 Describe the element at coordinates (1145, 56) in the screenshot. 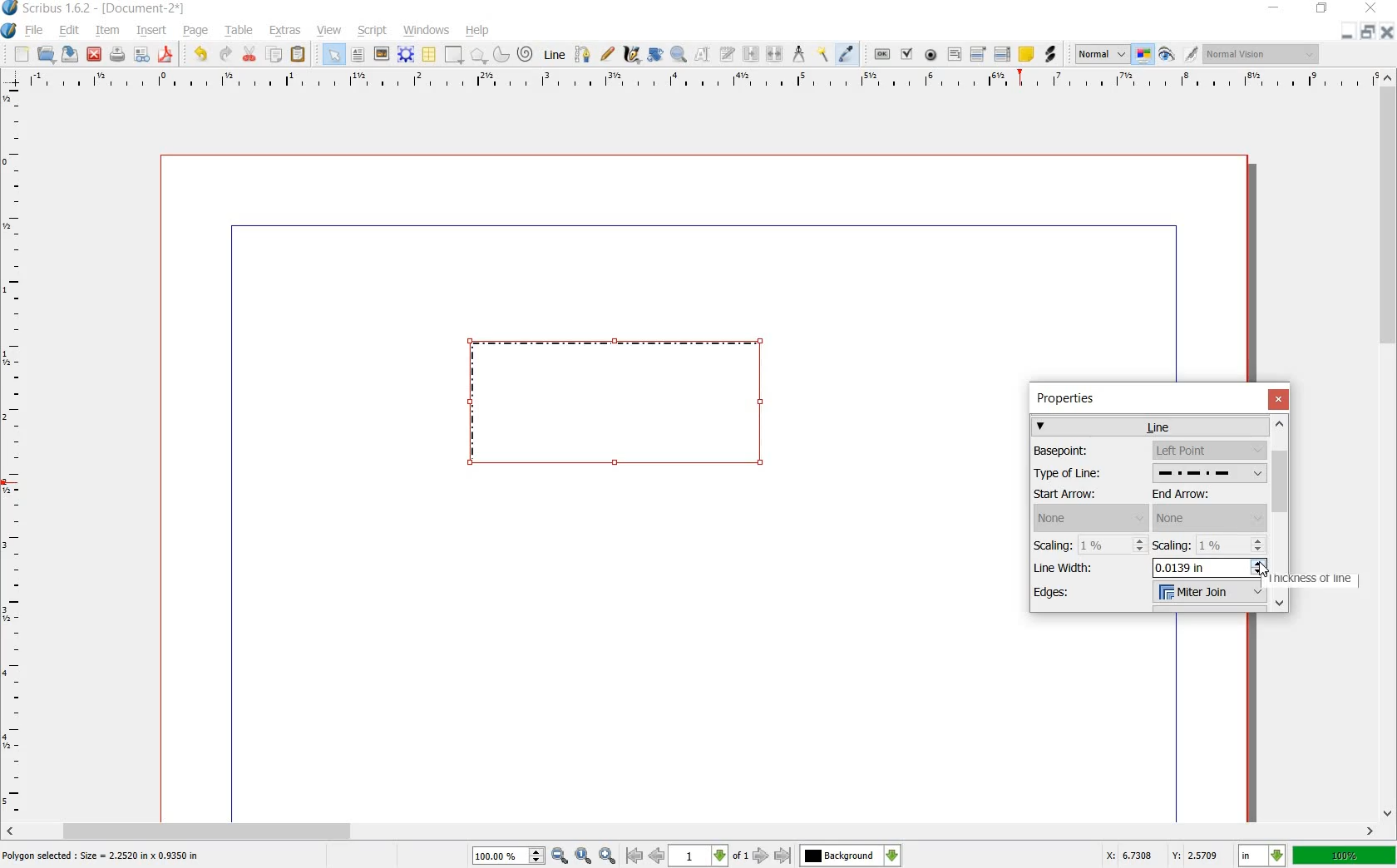

I see `TOGGLE COLOR MANAGEMENT SYSTEM` at that location.